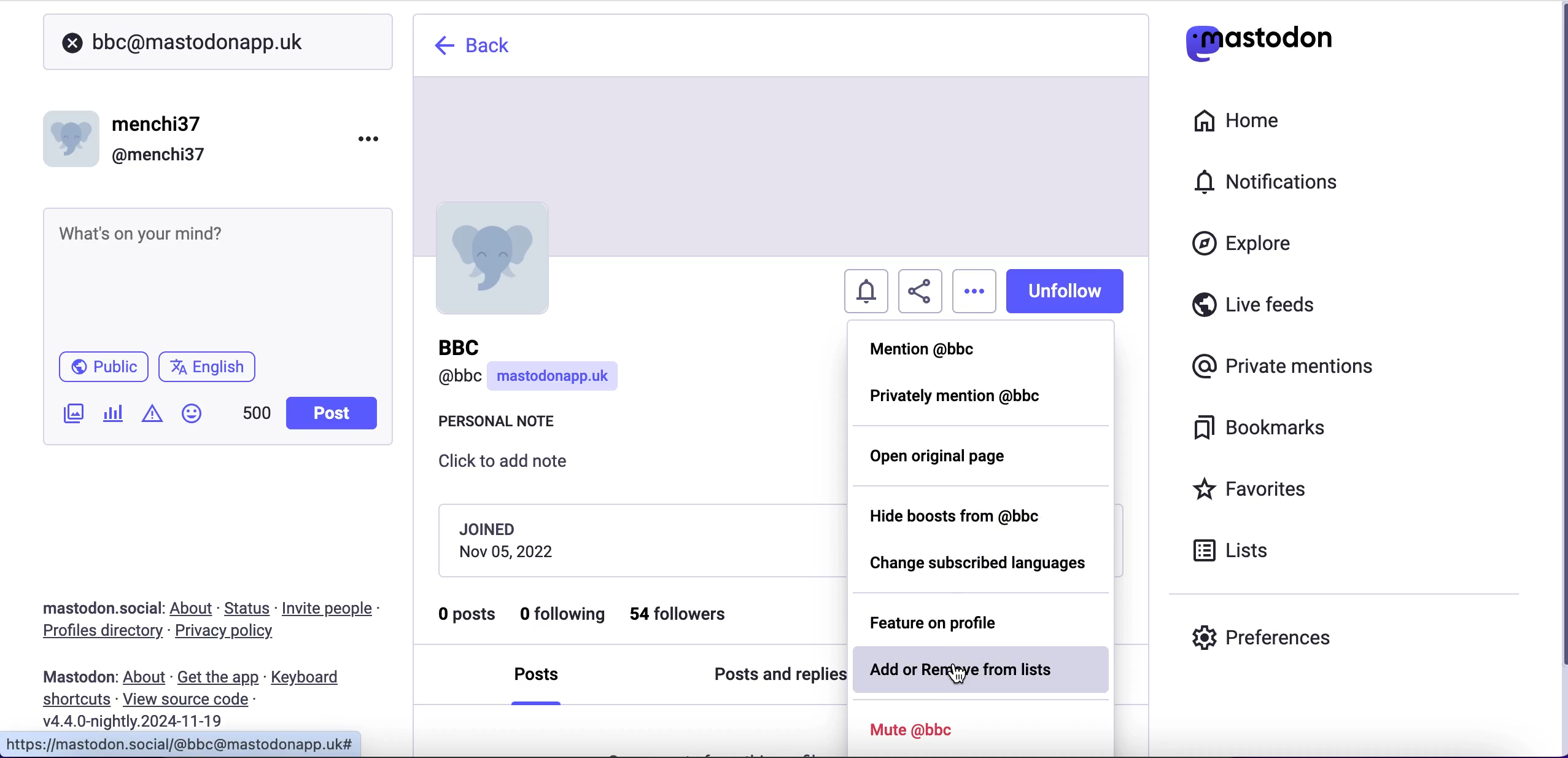  Describe the element at coordinates (147, 678) in the screenshot. I see `about` at that location.